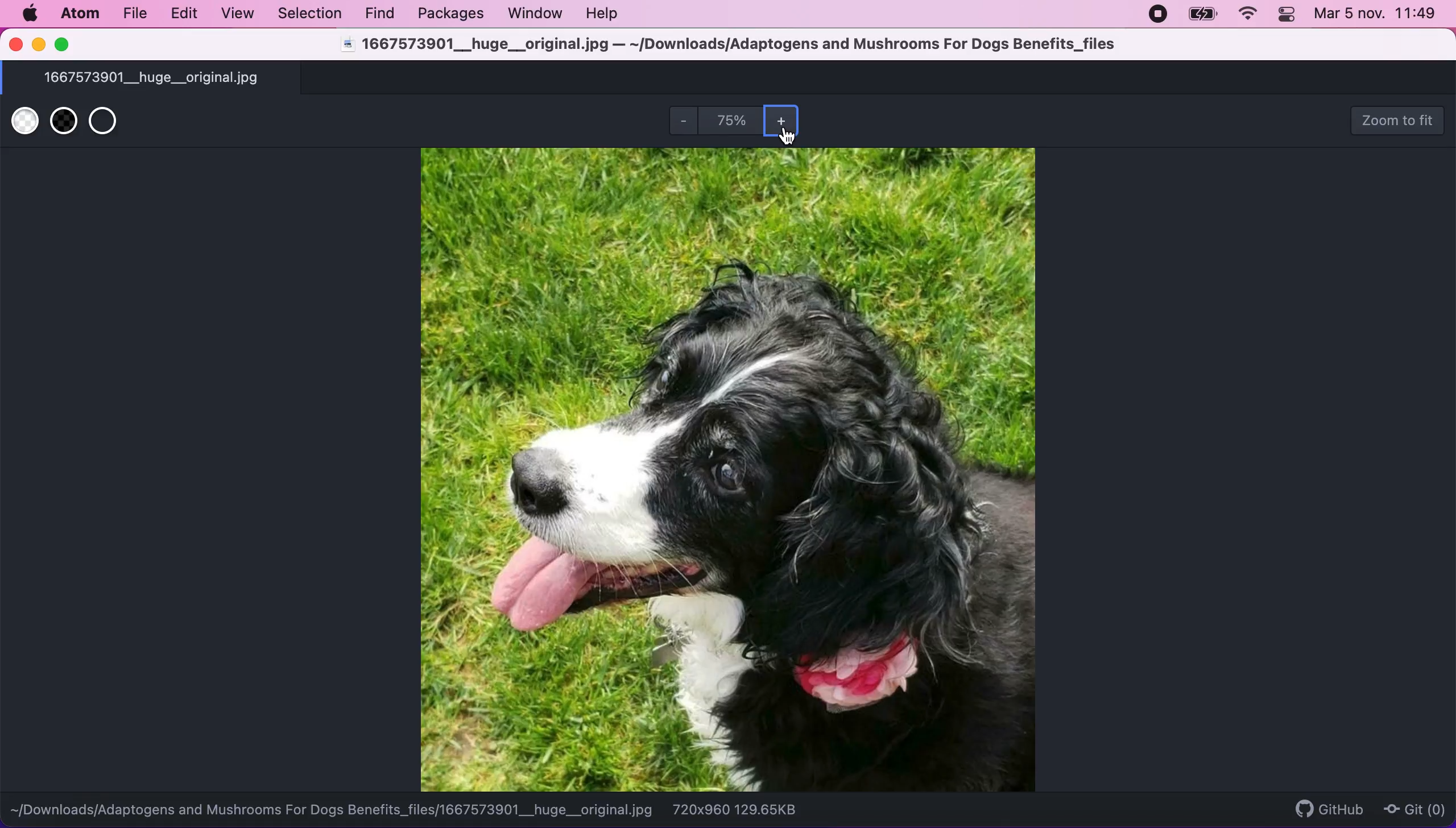 This screenshot has height=828, width=1456. I want to click on mac logo, so click(32, 14).